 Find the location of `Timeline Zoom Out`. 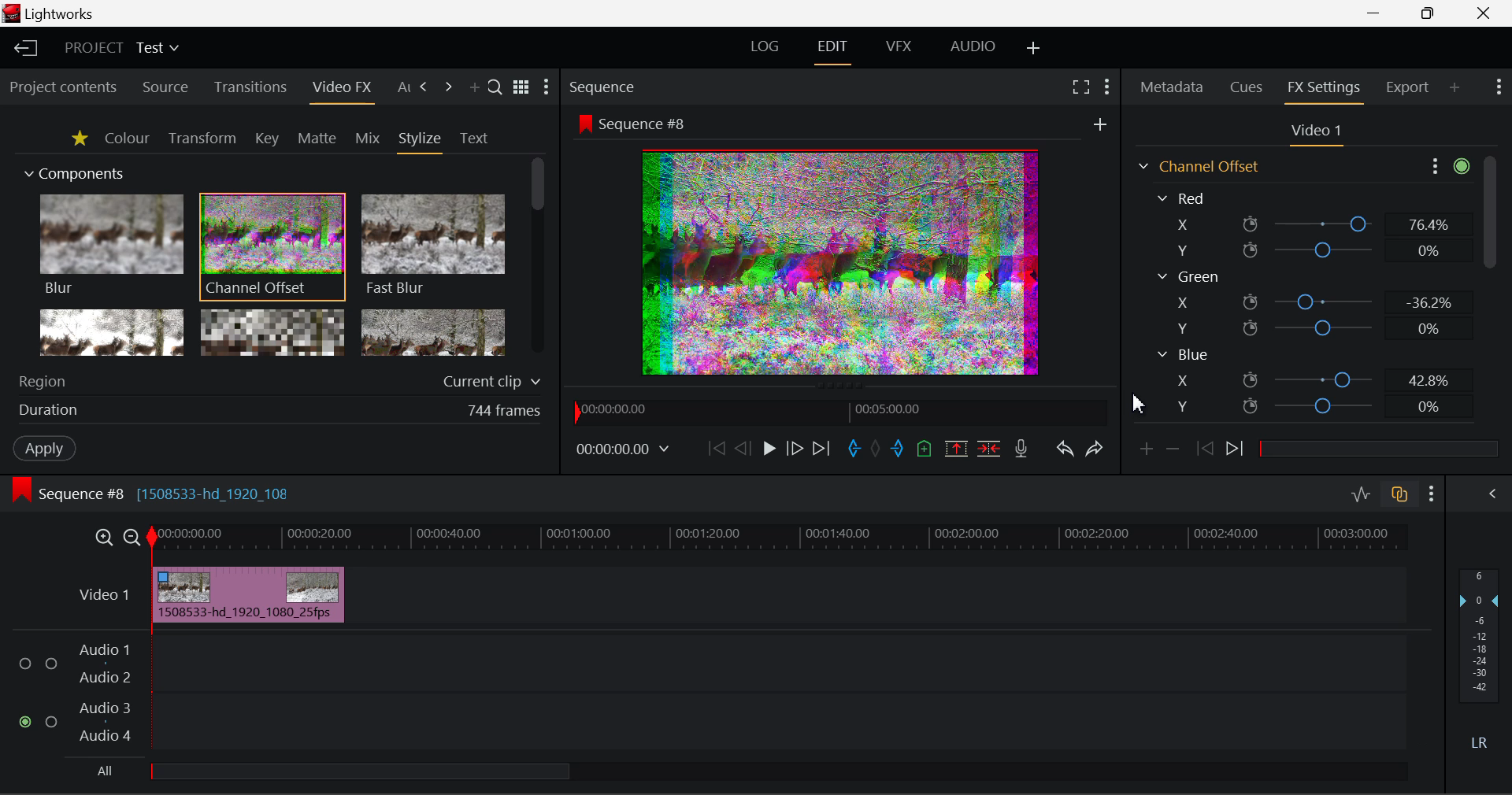

Timeline Zoom Out is located at coordinates (134, 539).